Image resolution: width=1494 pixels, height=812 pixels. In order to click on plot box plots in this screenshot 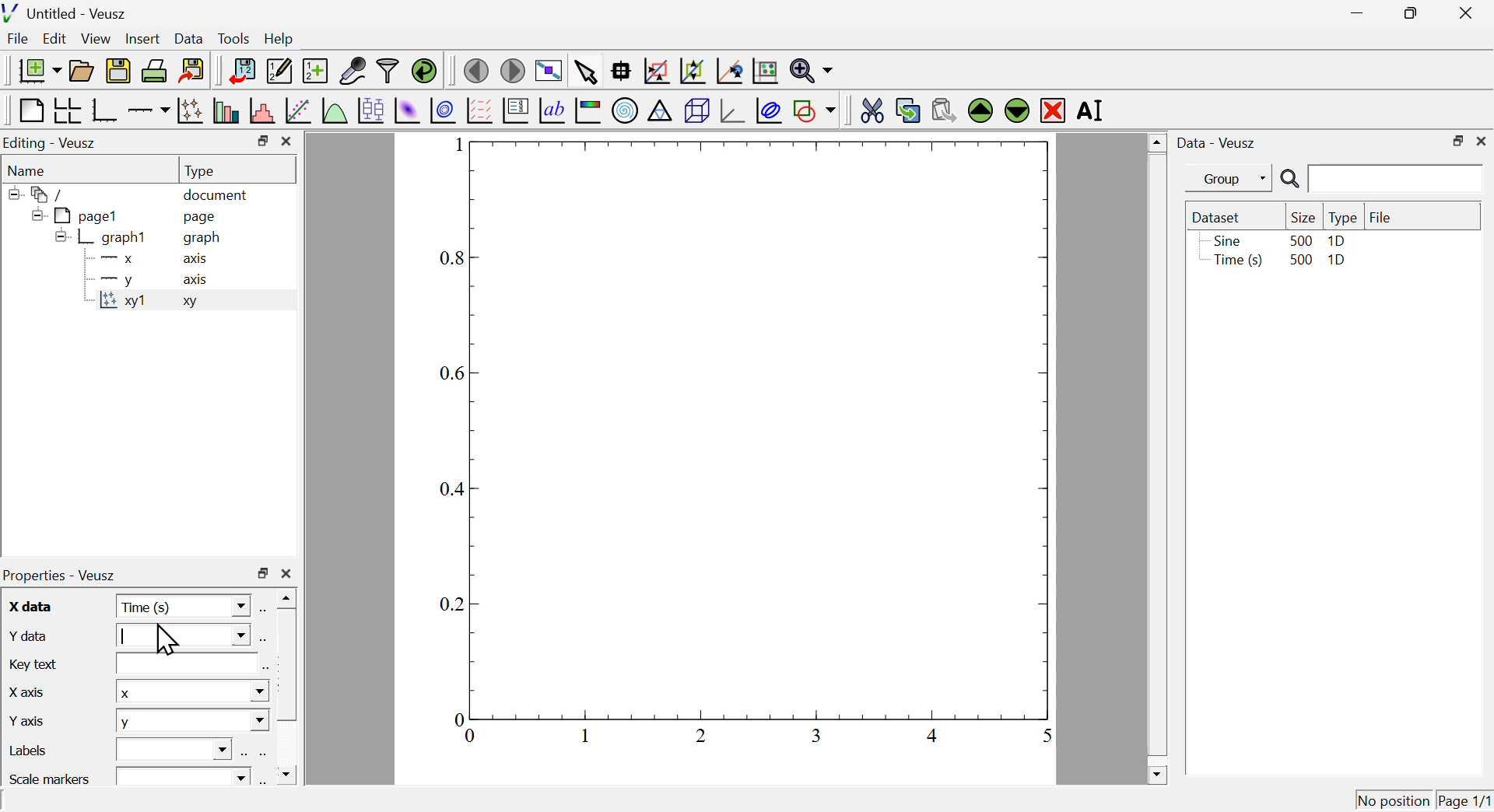, I will do `click(370, 109)`.